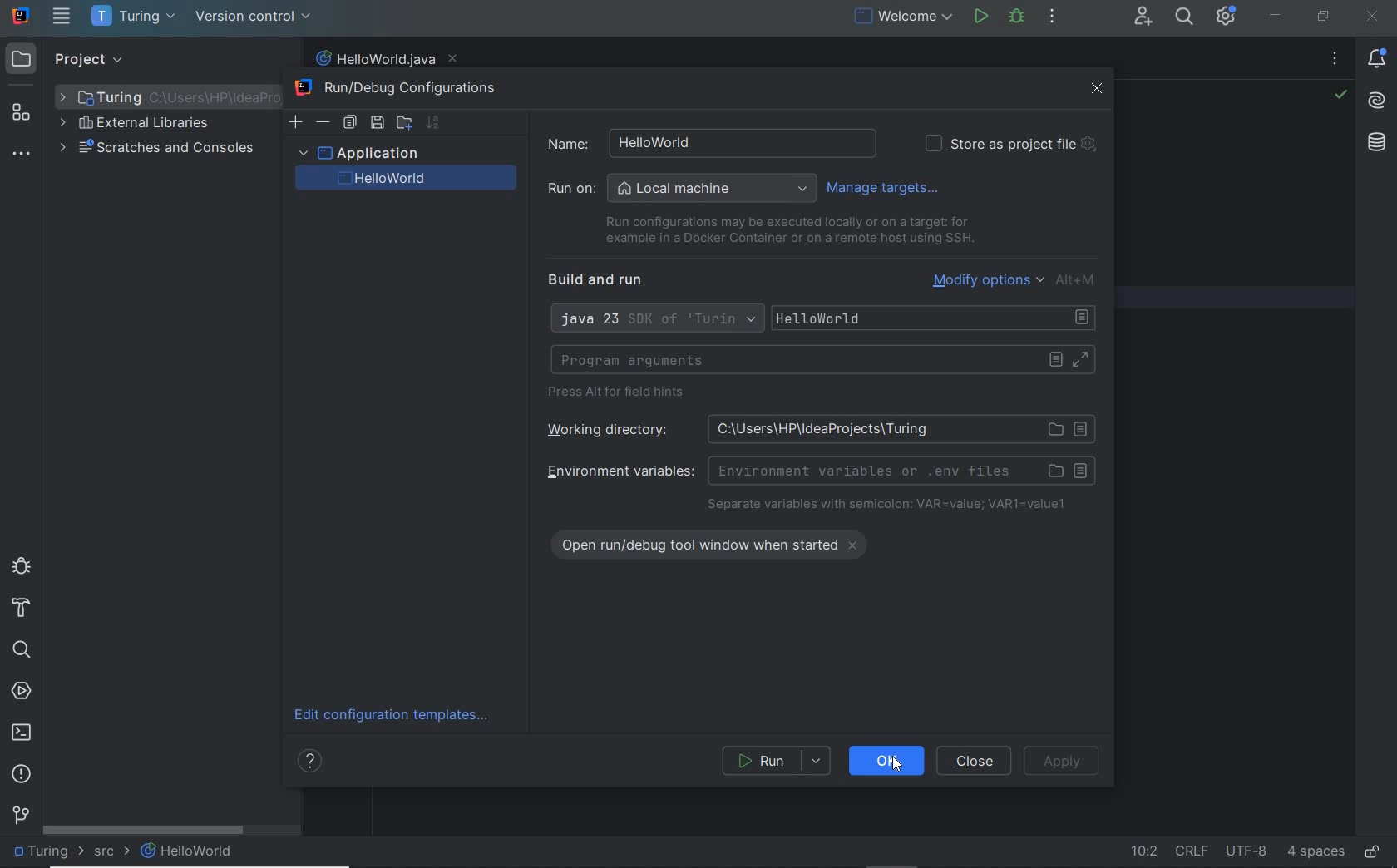 This screenshot has width=1397, height=868. Describe the element at coordinates (297, 121) in the screenshot. I see `ADD NEW CONFIGURATION` at that location.